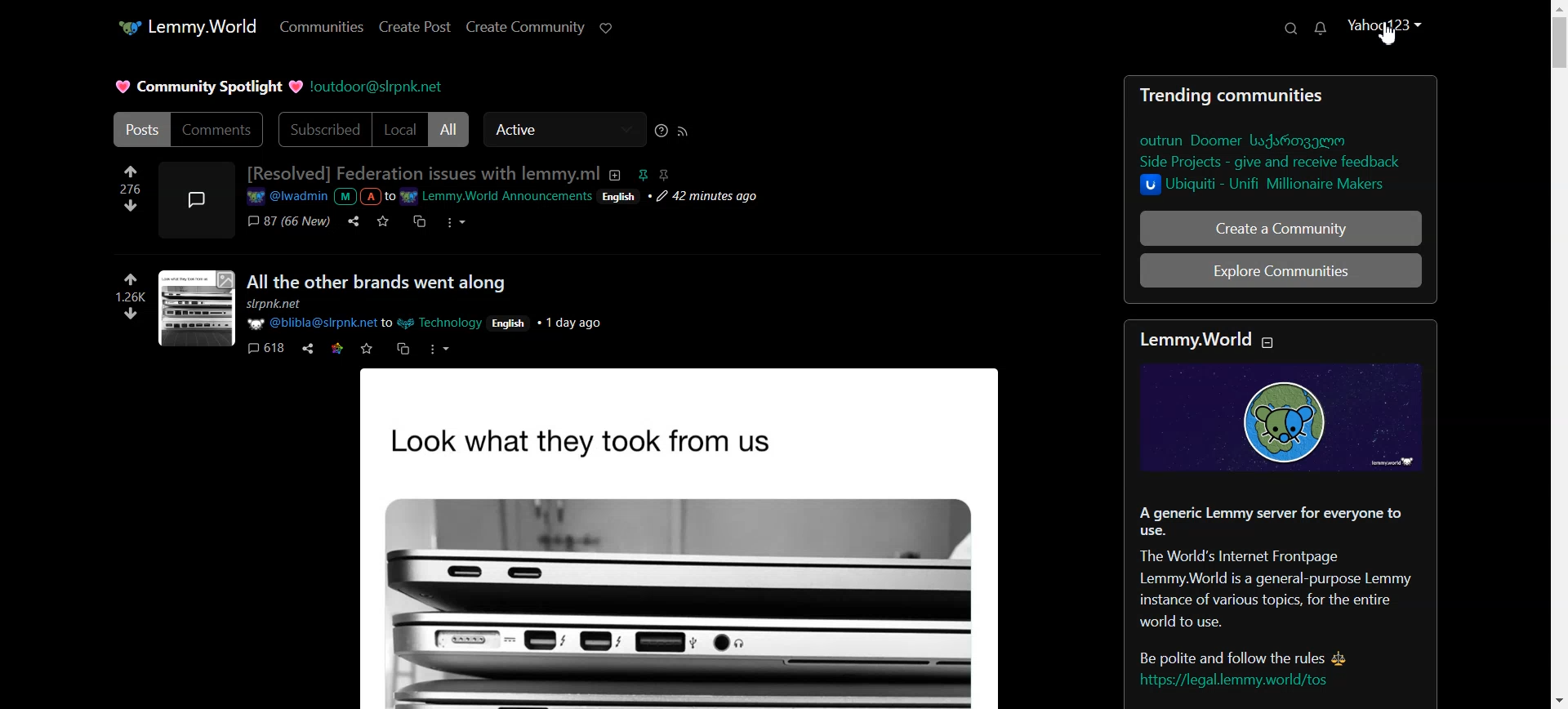 The image size is (1568, 709). What do you see at coordinates (134, 314) in the screenshot?
I see `down` at bounding box center [134, 314].